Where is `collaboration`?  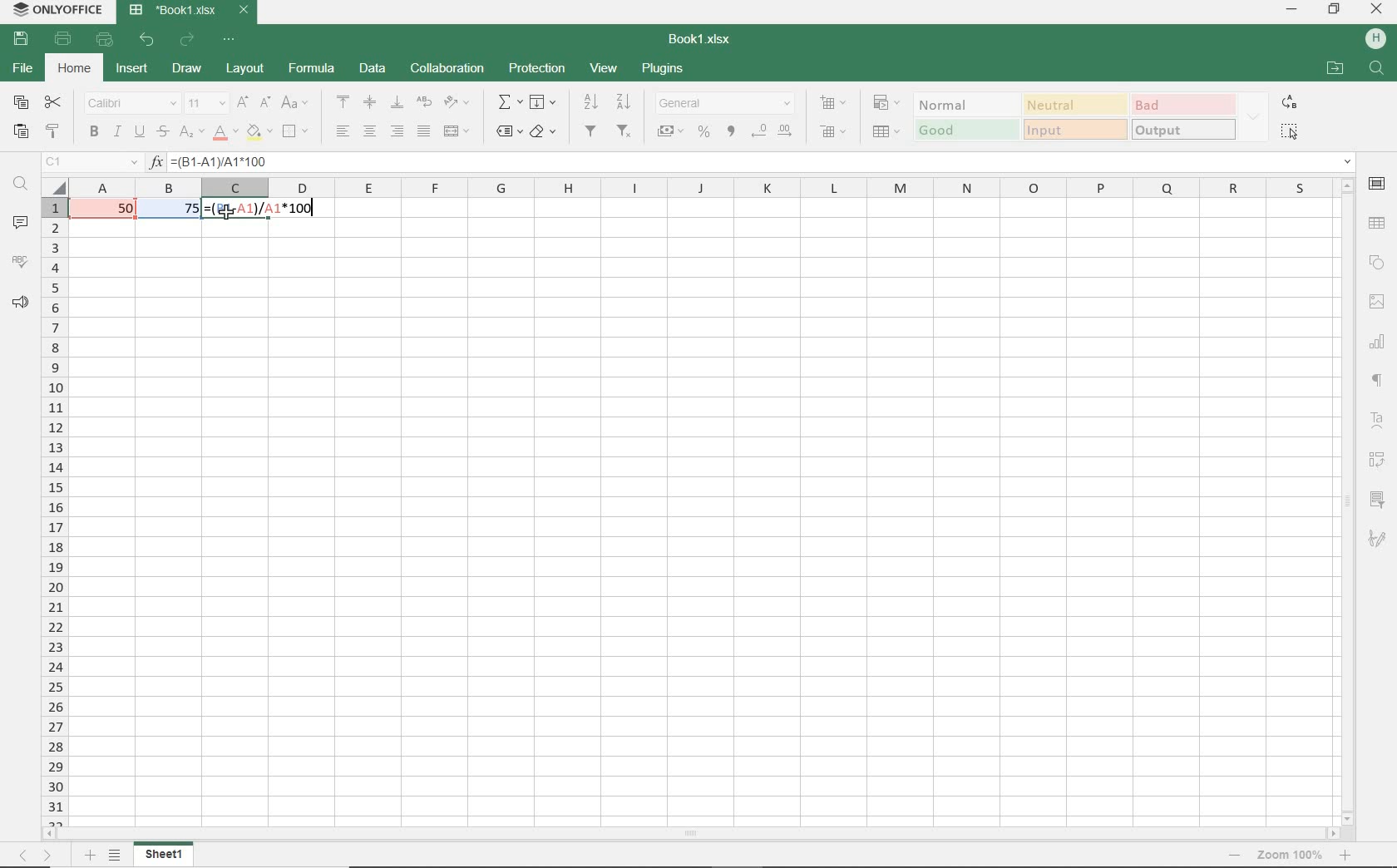 collaboration is located at coordinates (446, 68).